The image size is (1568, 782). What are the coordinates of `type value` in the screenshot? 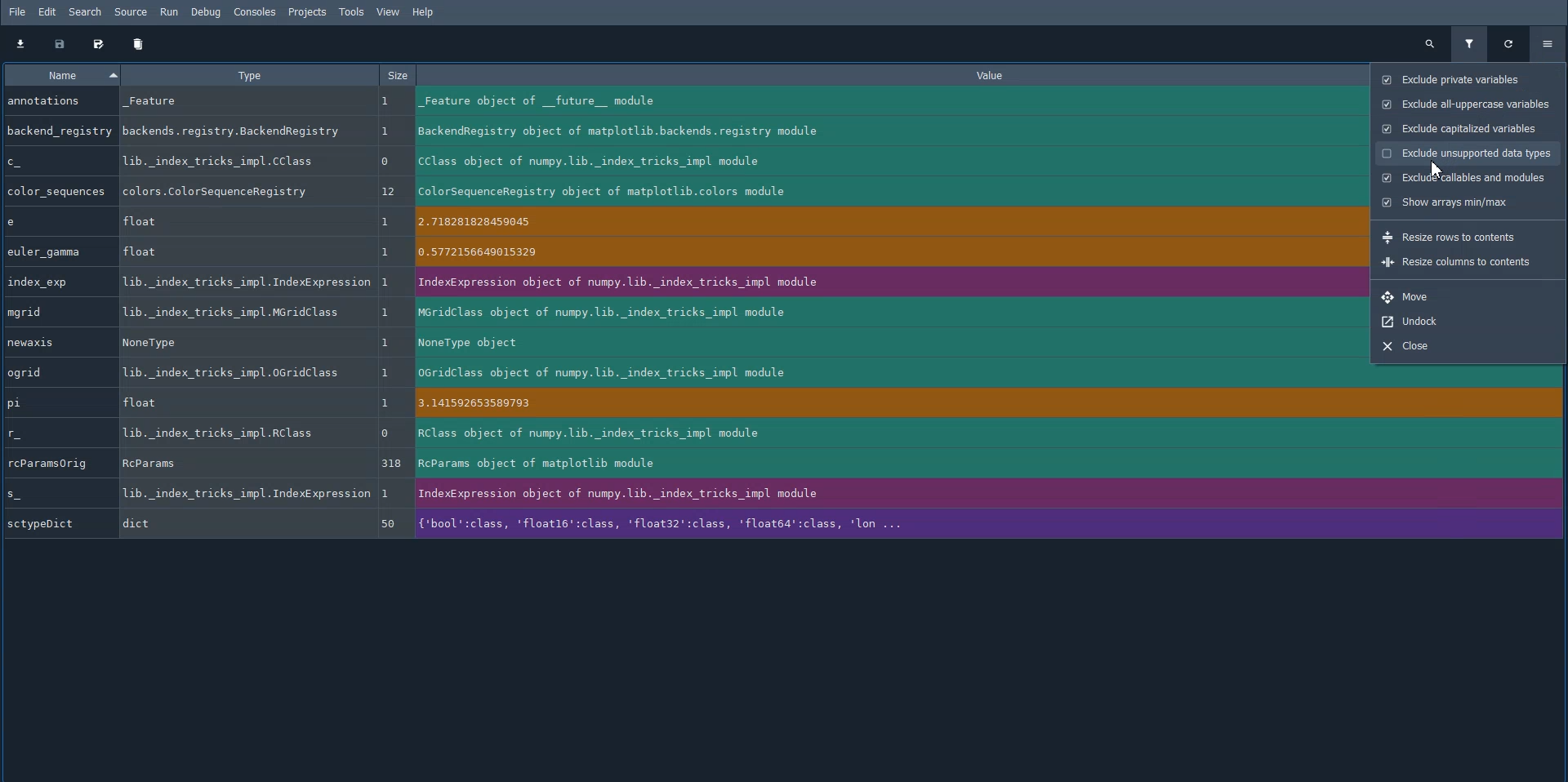 It's located at (234, 373).